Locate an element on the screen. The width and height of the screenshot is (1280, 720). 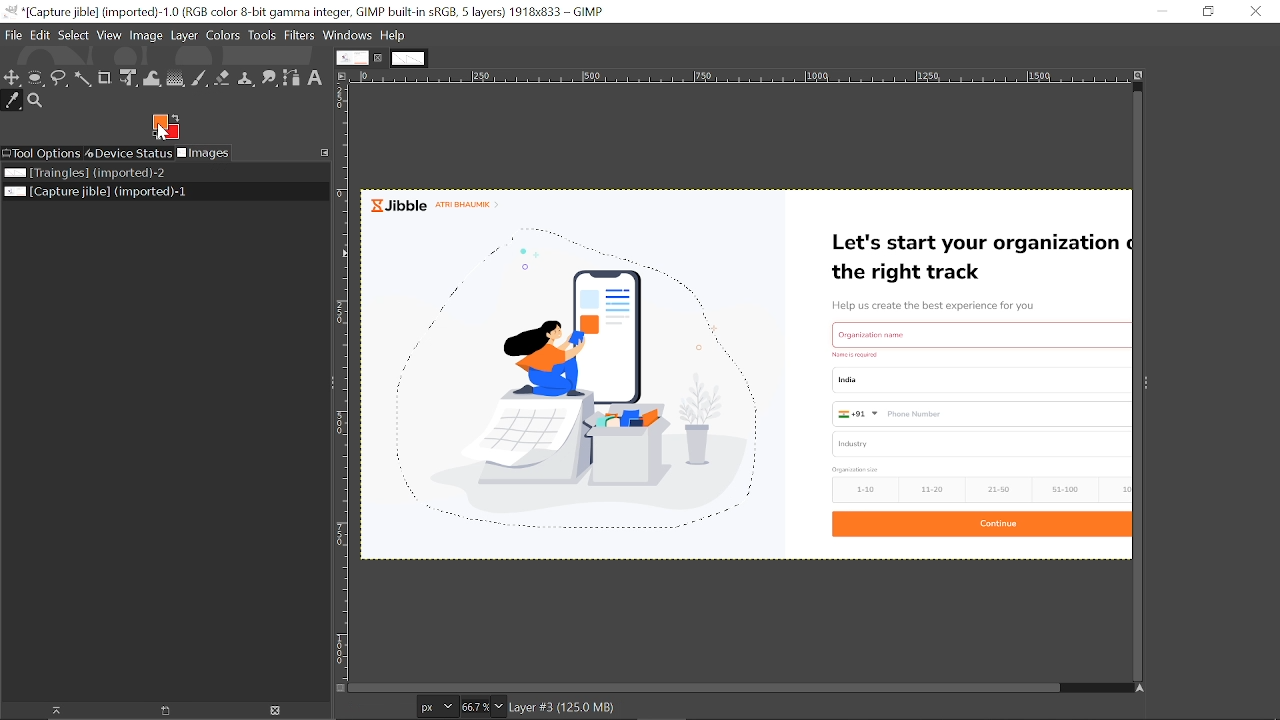
Gradient tool is located at coordinates (176, 78).